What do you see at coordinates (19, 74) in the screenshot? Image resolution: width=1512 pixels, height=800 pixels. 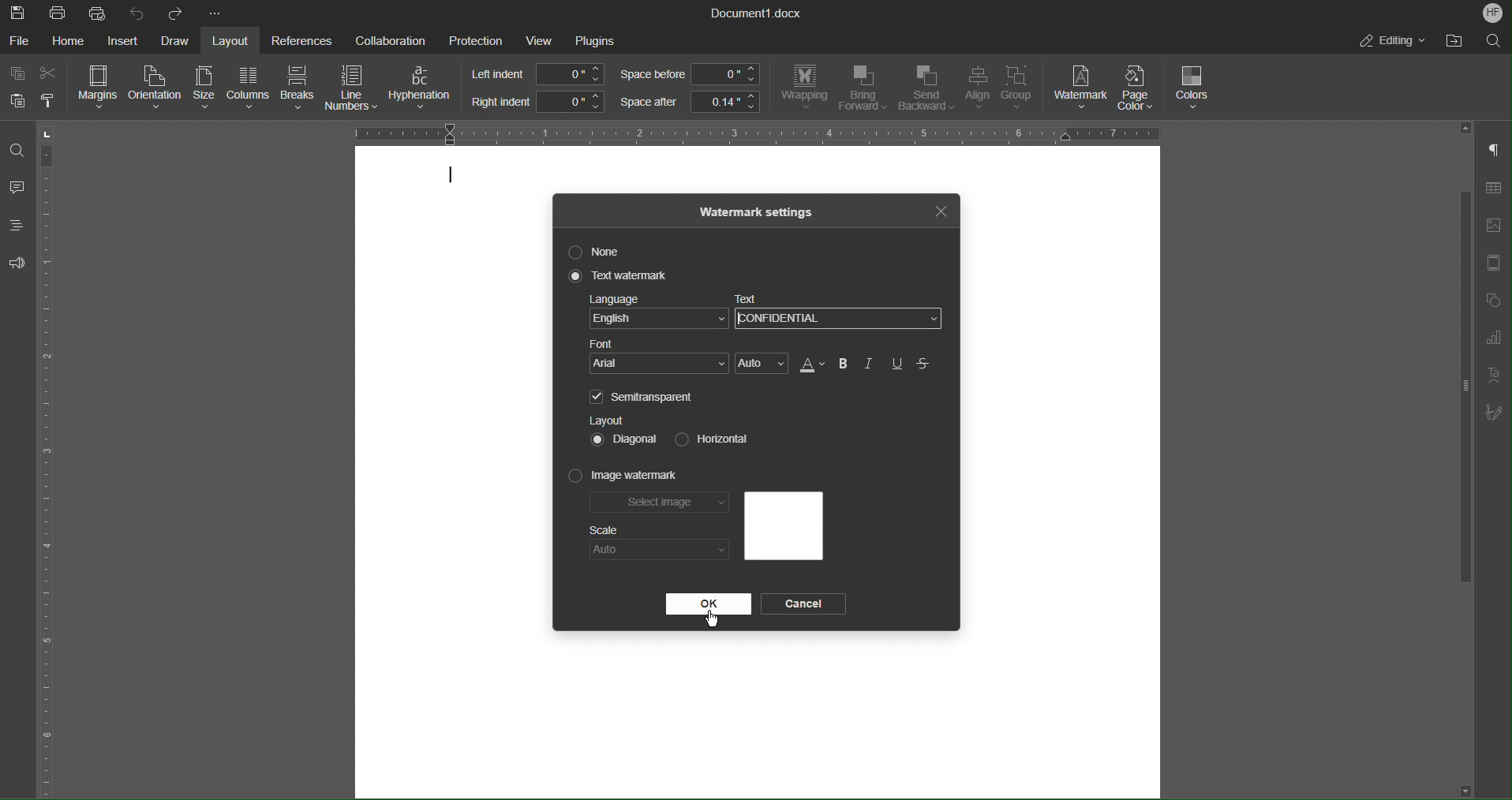 I see `Copy` at bounding box center [19, 74].